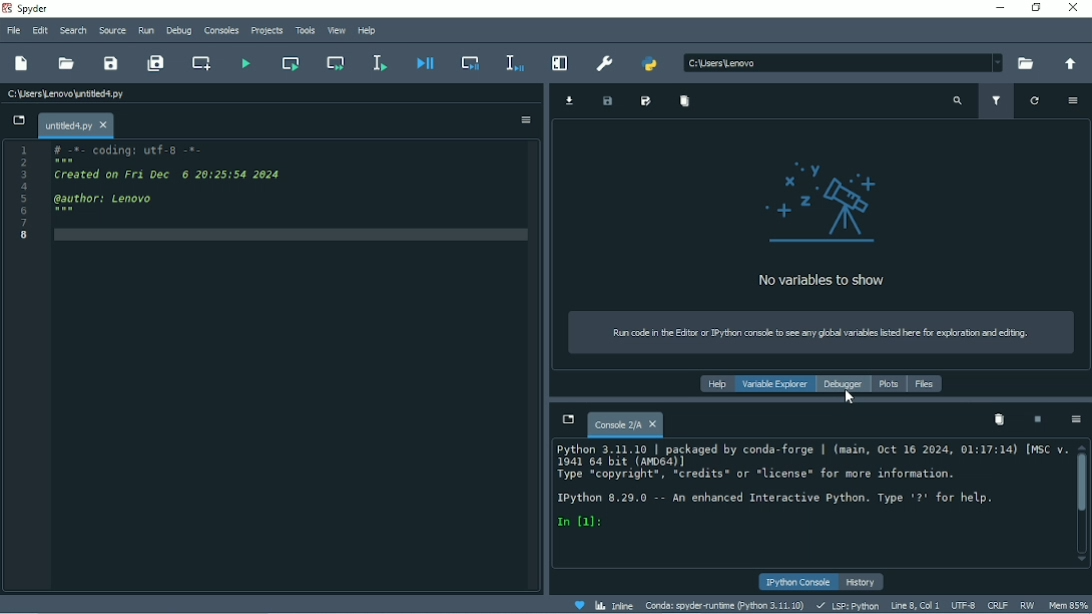 This screenshot has width=1092, height=614. Describe the element at coordinates (248, 64) in the screenshot. I see `Run file` at that location.